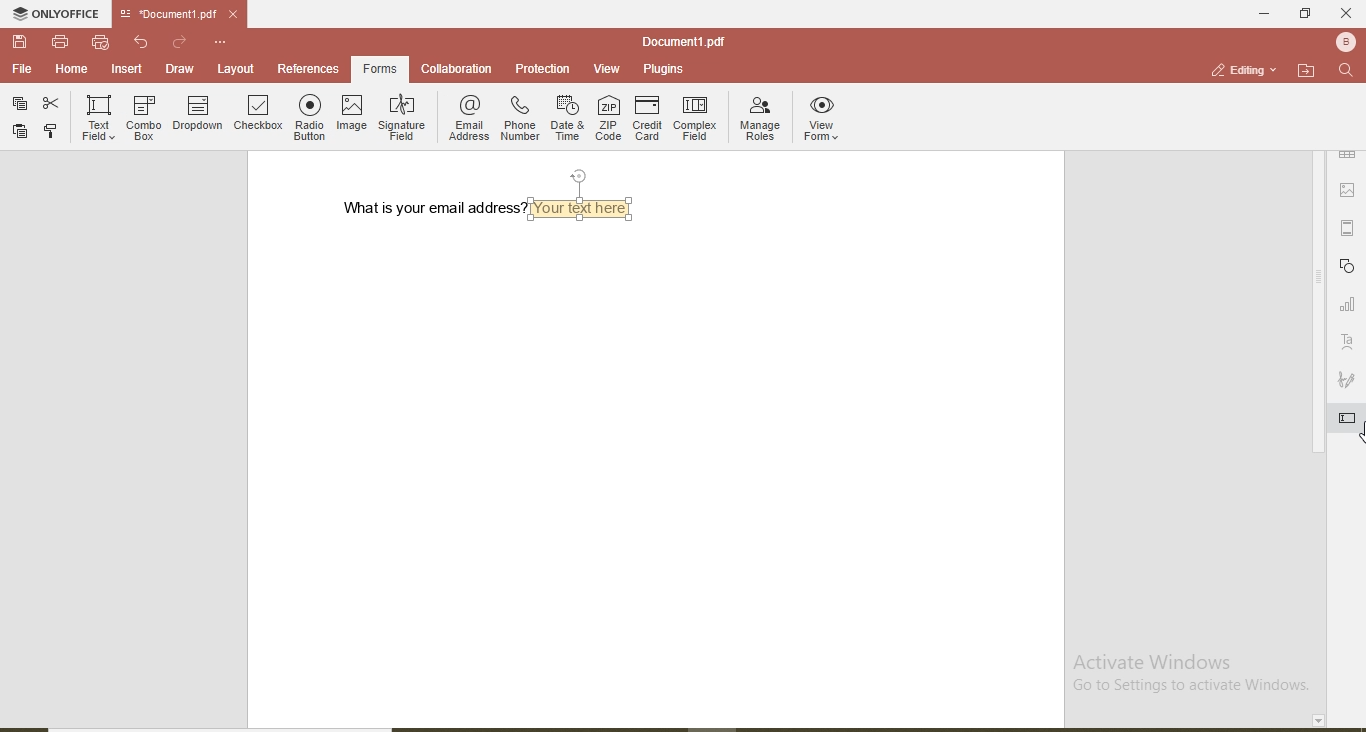 The height and width of the screenshot is (732, 1366). What do you see at coordinates (22, 69) in the screenshot?
I see `file` at bounding box center [22, 69].